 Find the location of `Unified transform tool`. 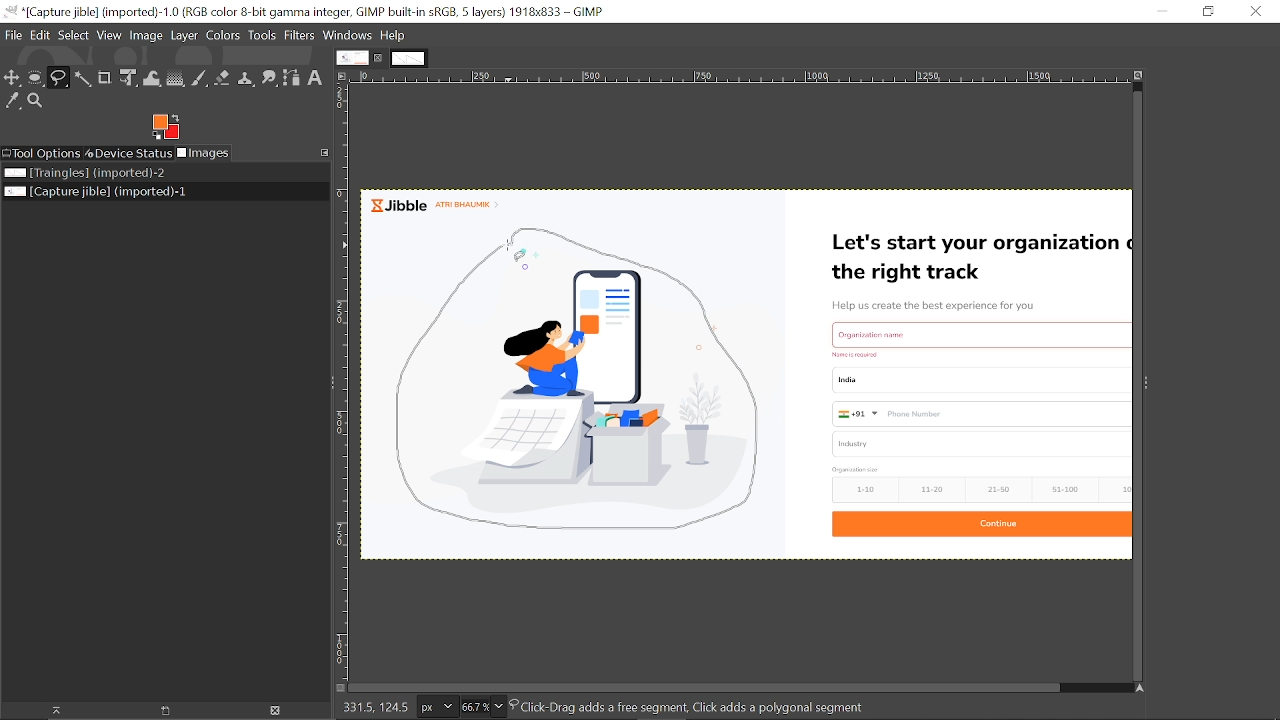

Unified transform tool is located at coordinates (130, 78).